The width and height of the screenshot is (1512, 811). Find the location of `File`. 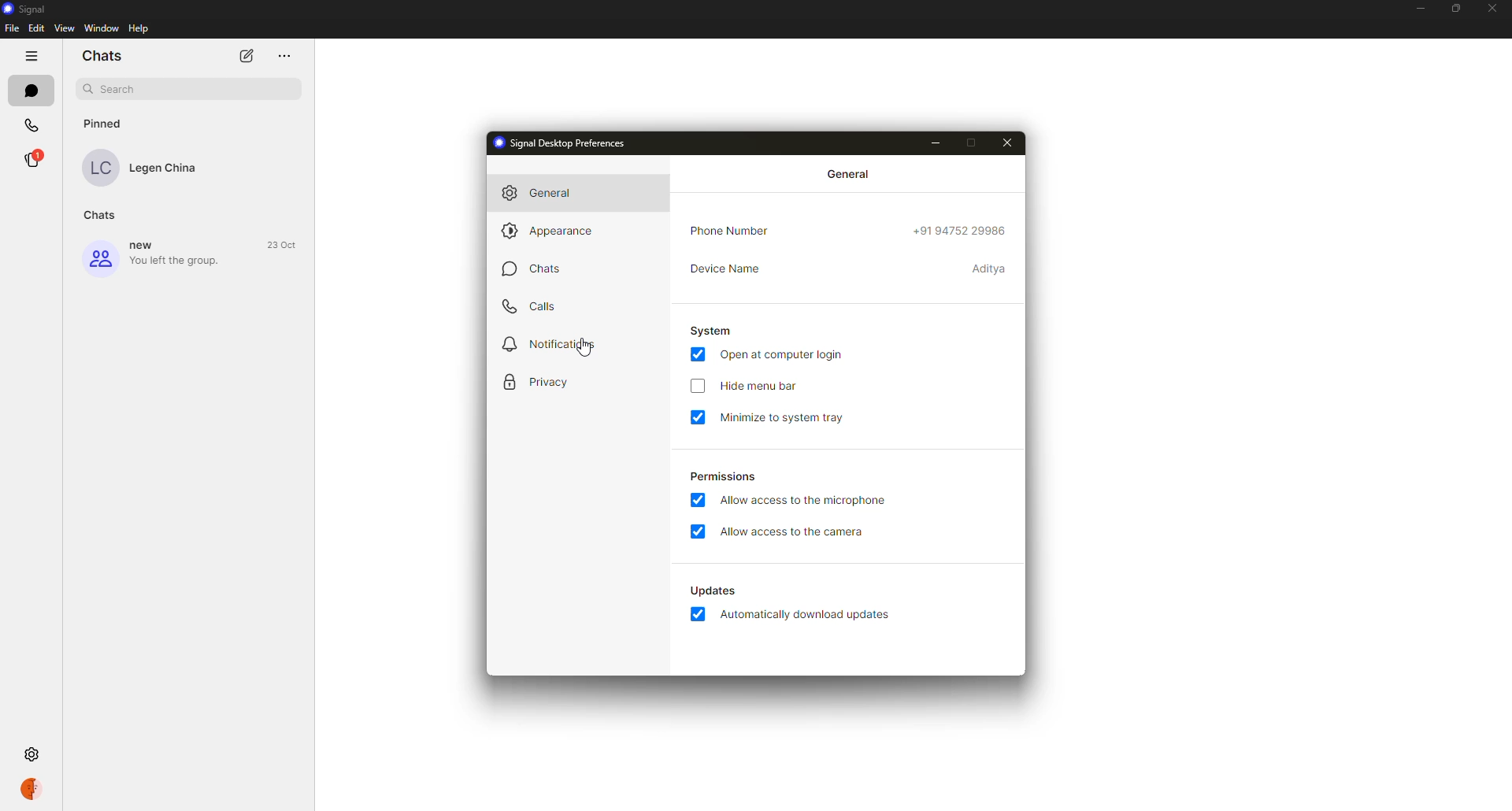

File is located at coordinates (13, 28).